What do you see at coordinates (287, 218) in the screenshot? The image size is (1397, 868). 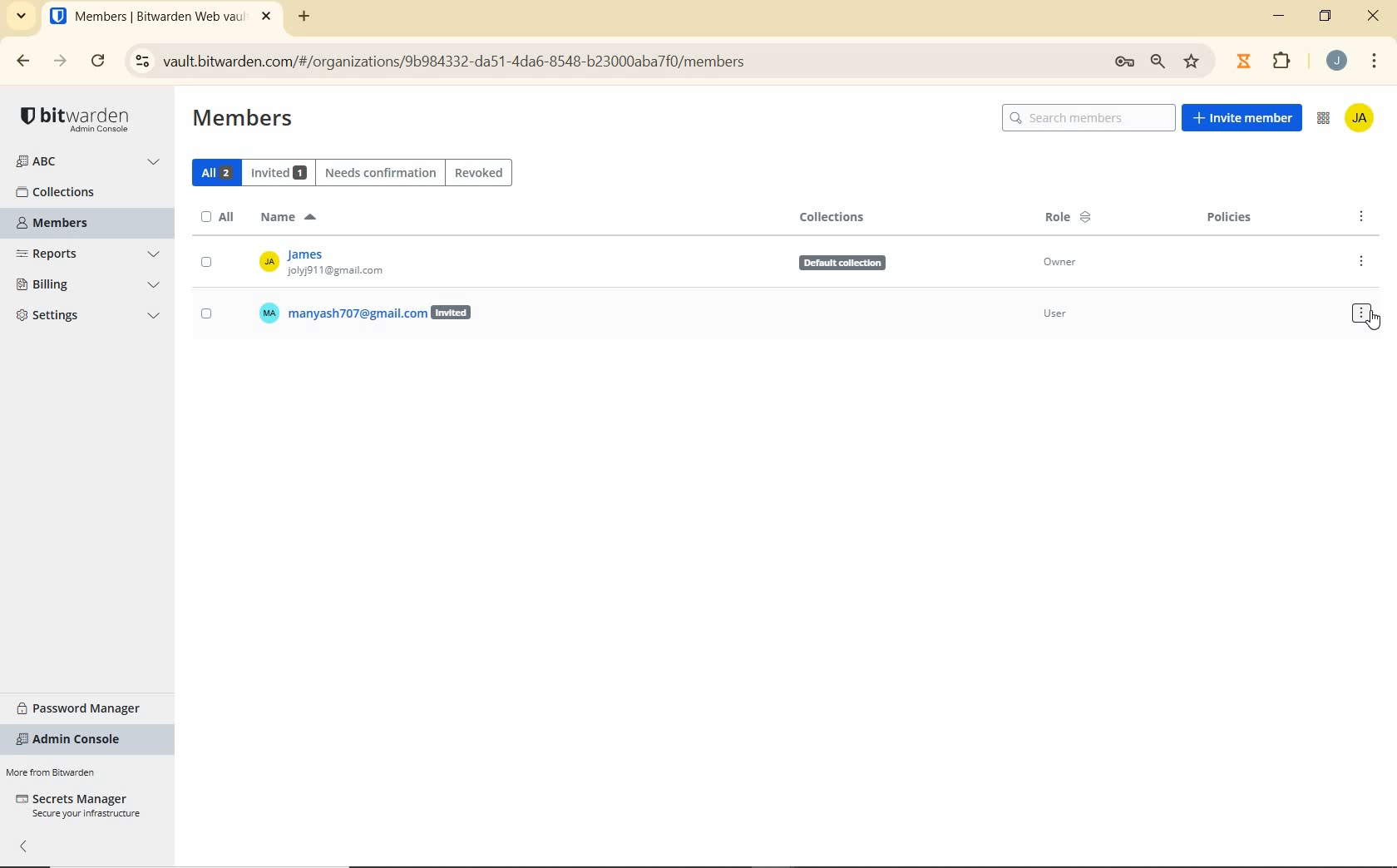 I see `NAME` at bounding box center [287, 218].